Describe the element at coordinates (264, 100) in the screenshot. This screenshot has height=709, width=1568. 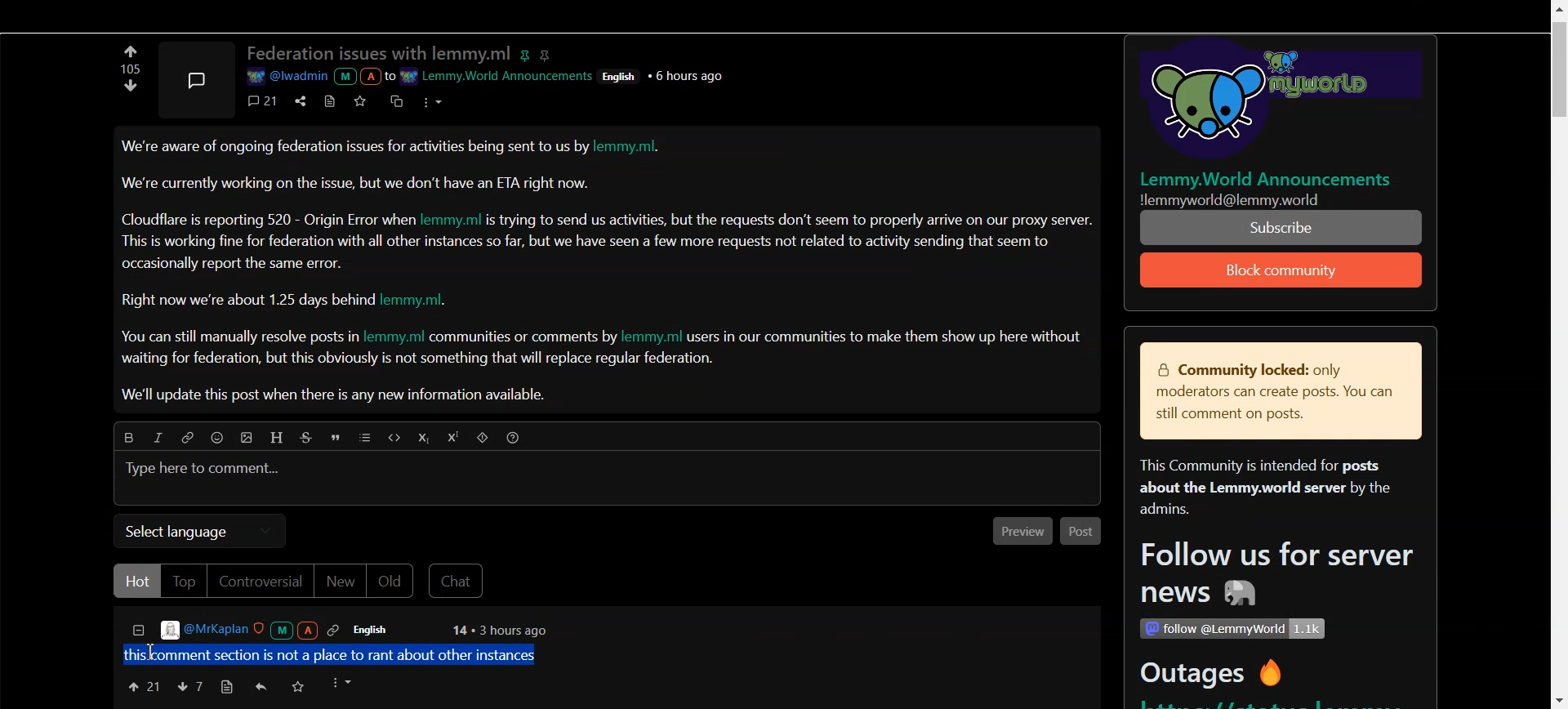
I see `comment` at that location.